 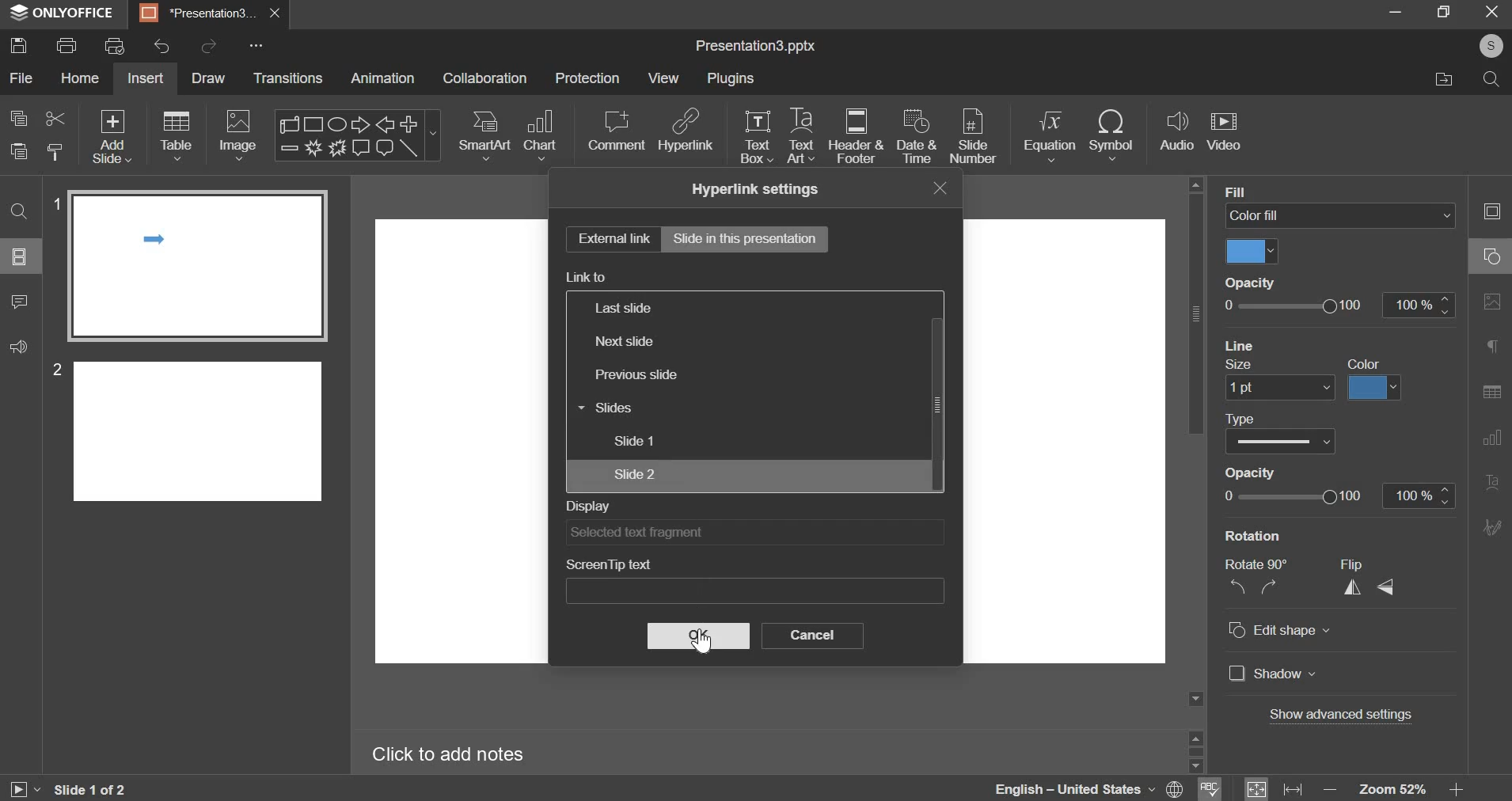 I want to click on protection, so click(x=587, y=78).